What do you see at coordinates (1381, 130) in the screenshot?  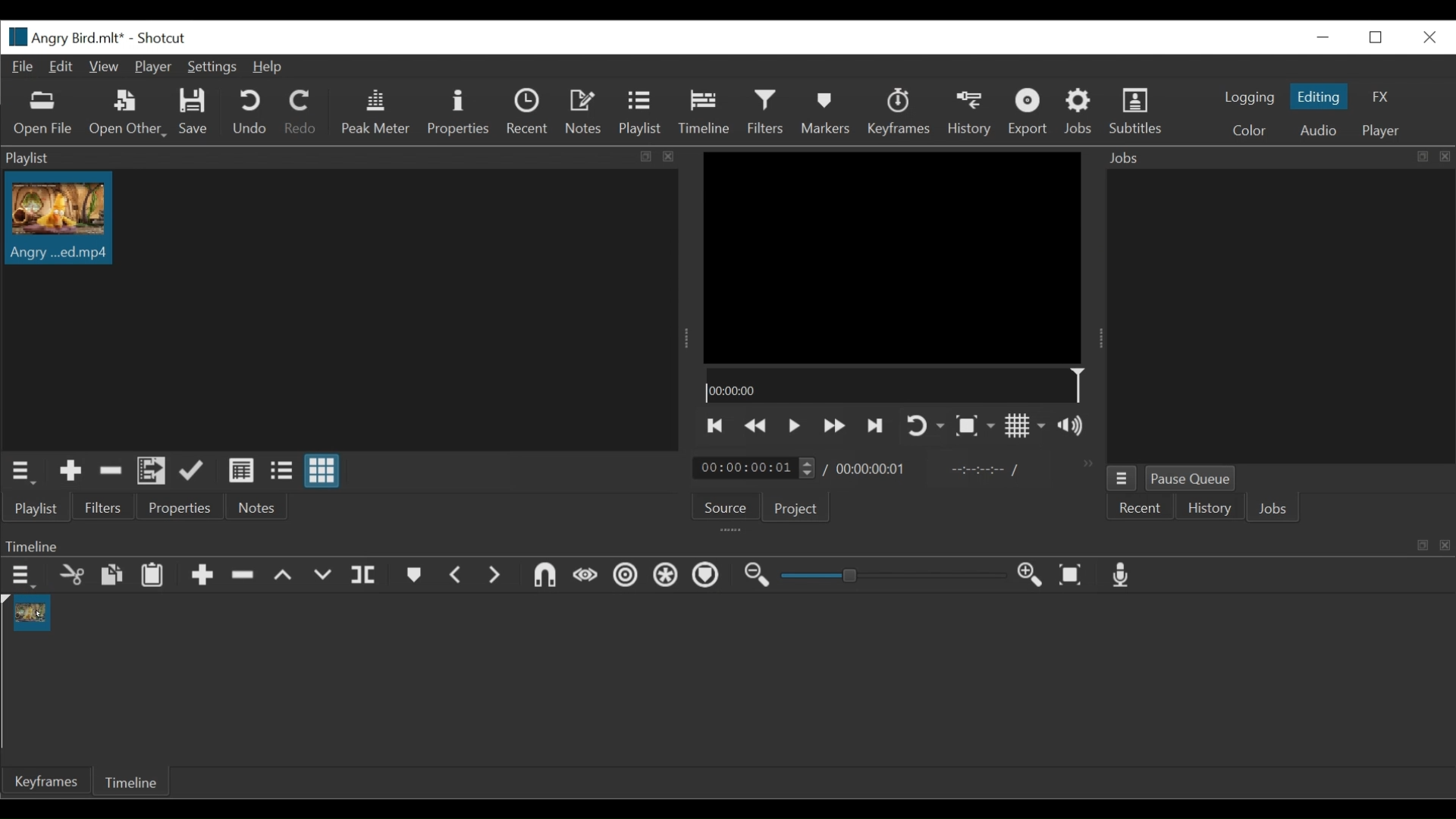 I see `player` at bounding box center [1381, 130].